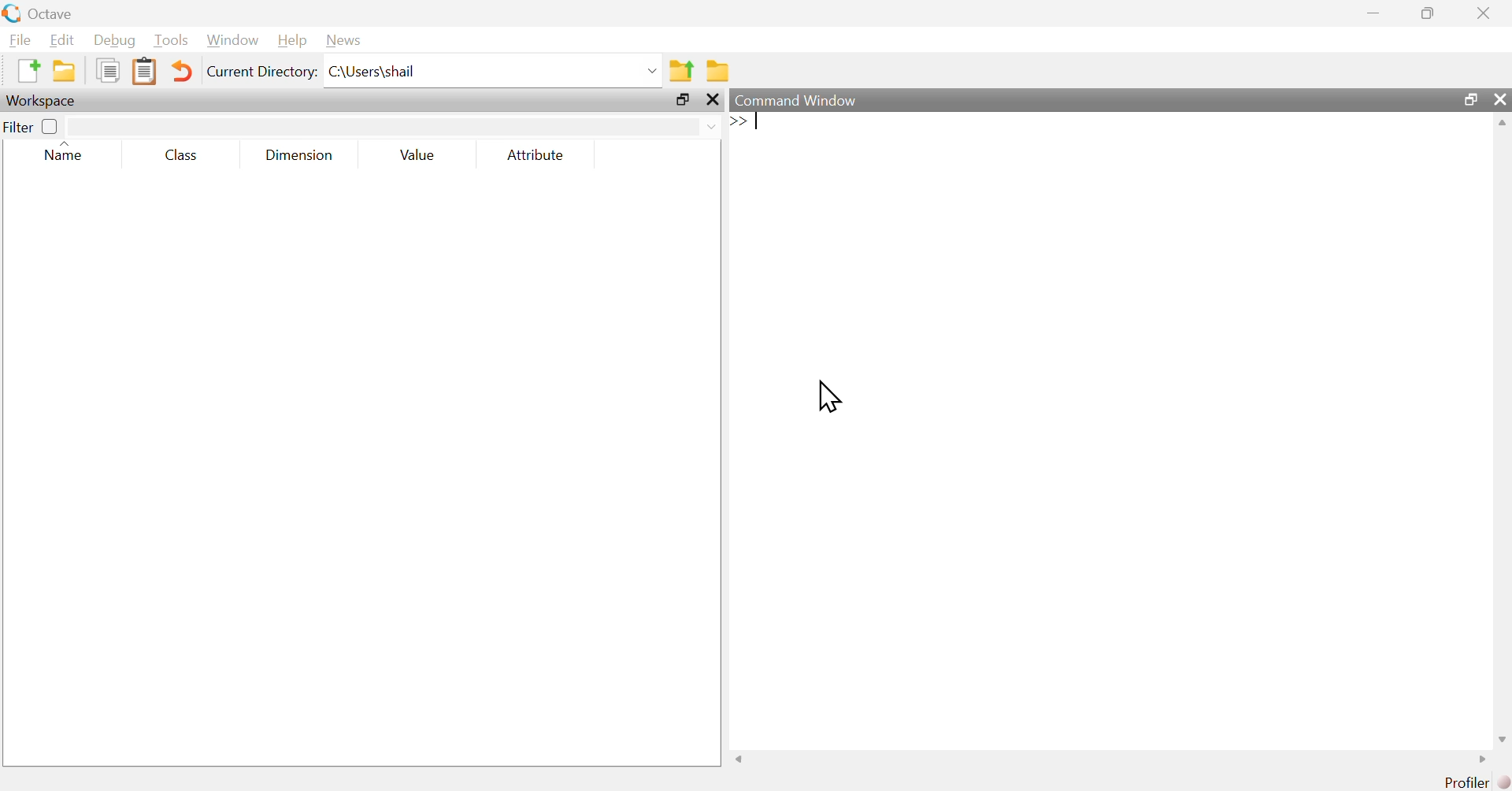 The height and width of the screenshot is (791, 1512). Describe the element at coordinates (537, 156) in the screenshot. I see `Attribute` at that location.